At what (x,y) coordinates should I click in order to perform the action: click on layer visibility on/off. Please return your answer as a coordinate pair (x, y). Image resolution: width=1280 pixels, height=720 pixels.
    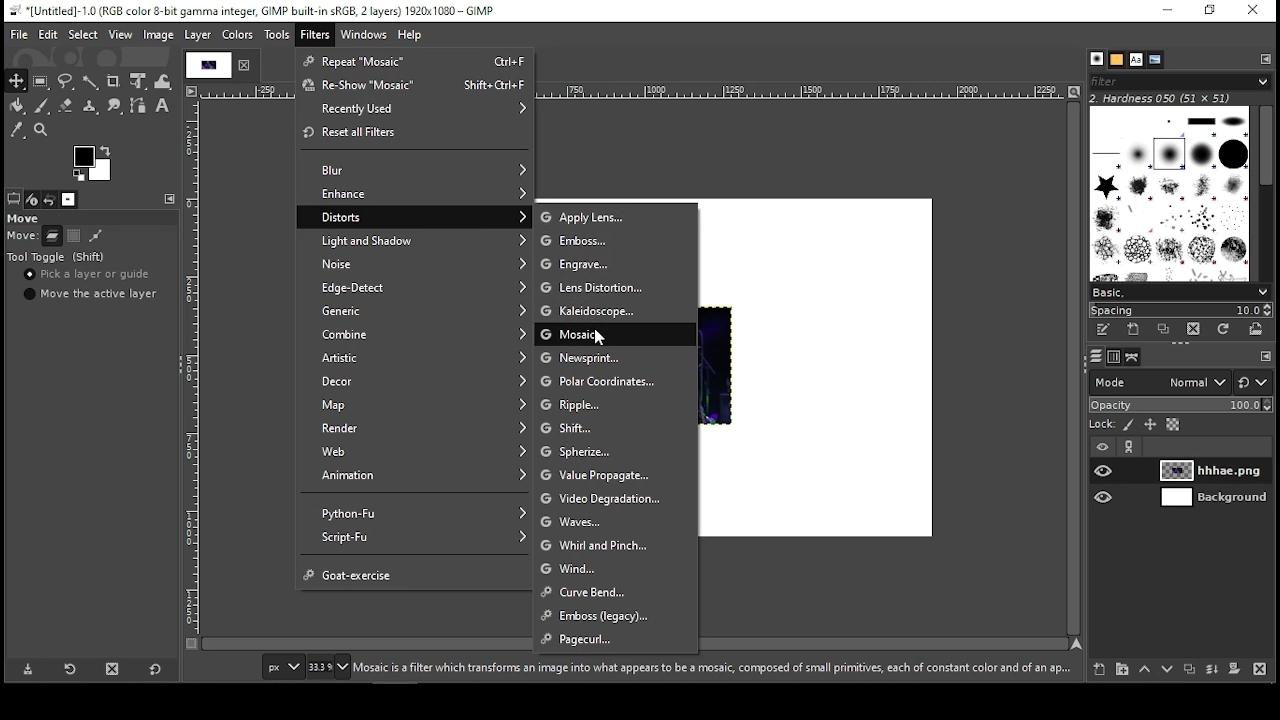
    Looking at the image, I should click on (1105, 472).